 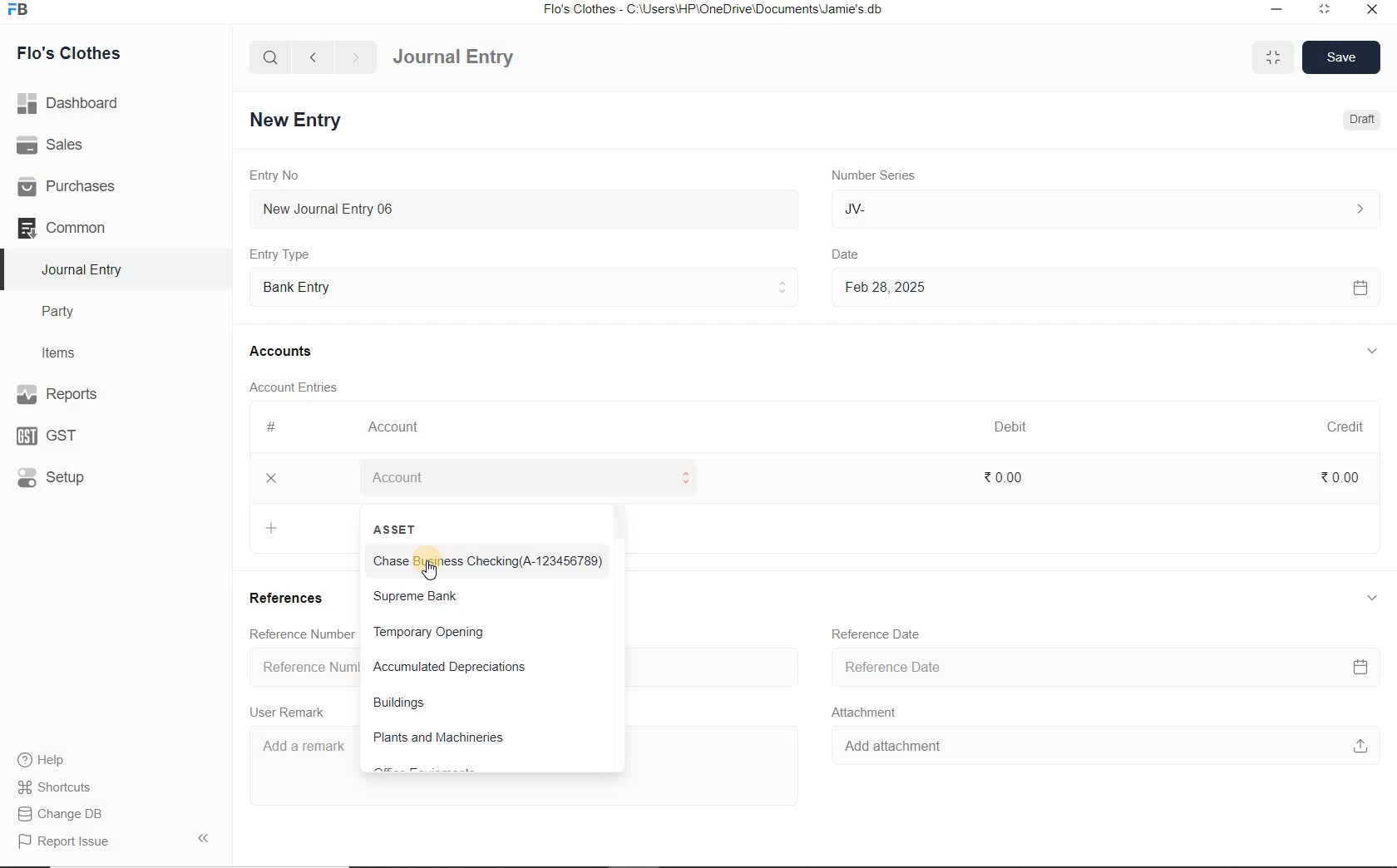 I want to click on Temporary Opening, so click(x=435, y=632).